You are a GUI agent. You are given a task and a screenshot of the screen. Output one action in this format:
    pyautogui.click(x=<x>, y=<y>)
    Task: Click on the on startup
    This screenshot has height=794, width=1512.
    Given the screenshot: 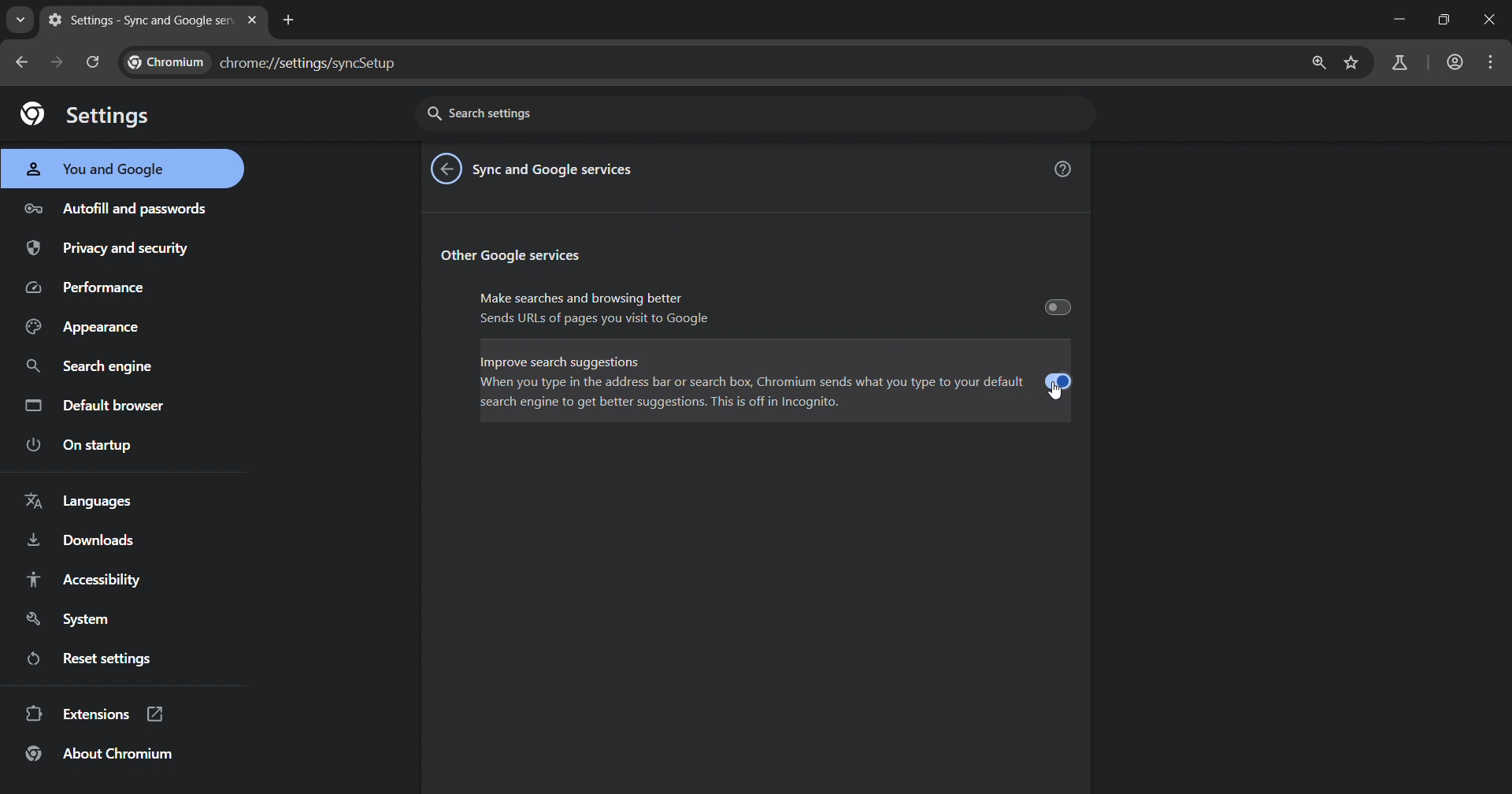 What is the action you would take?
    pyautogui.click(x=79, y=446)
    